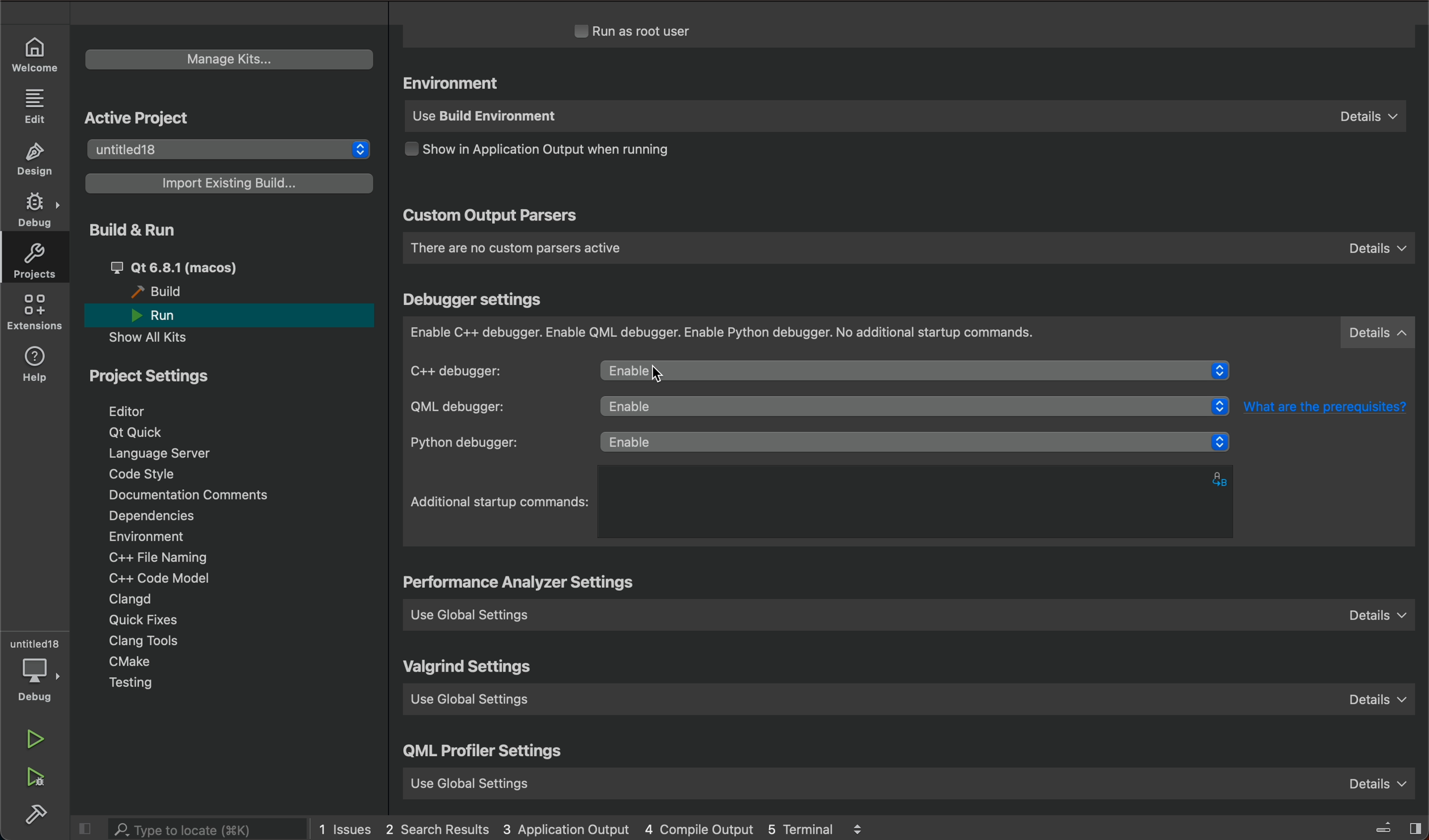  I want to click on editor, so click(130, 411).